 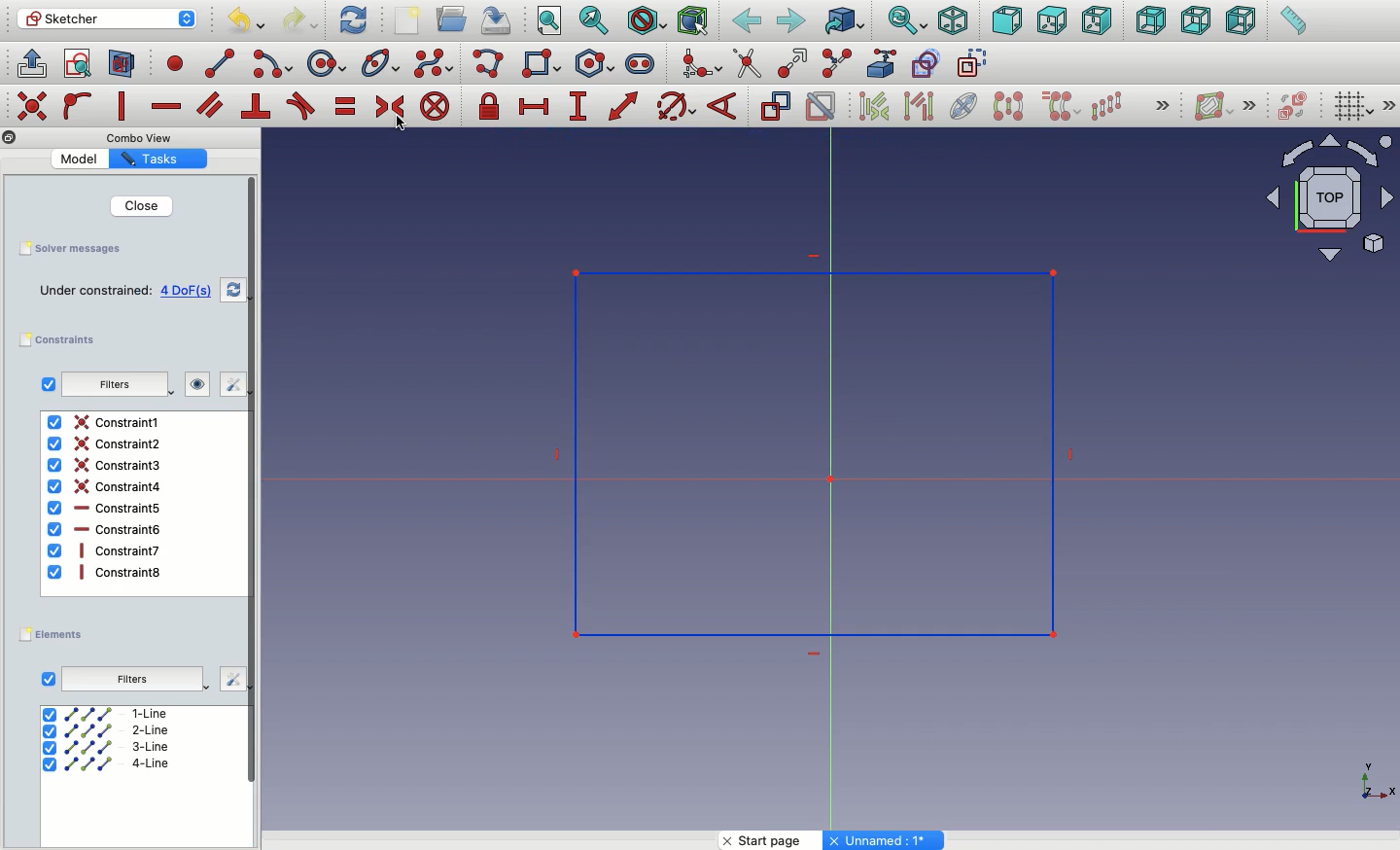 What do you see at coordinates (254, 511) in the screenshot?
I see `scroll` at bounding box center [254, 511].